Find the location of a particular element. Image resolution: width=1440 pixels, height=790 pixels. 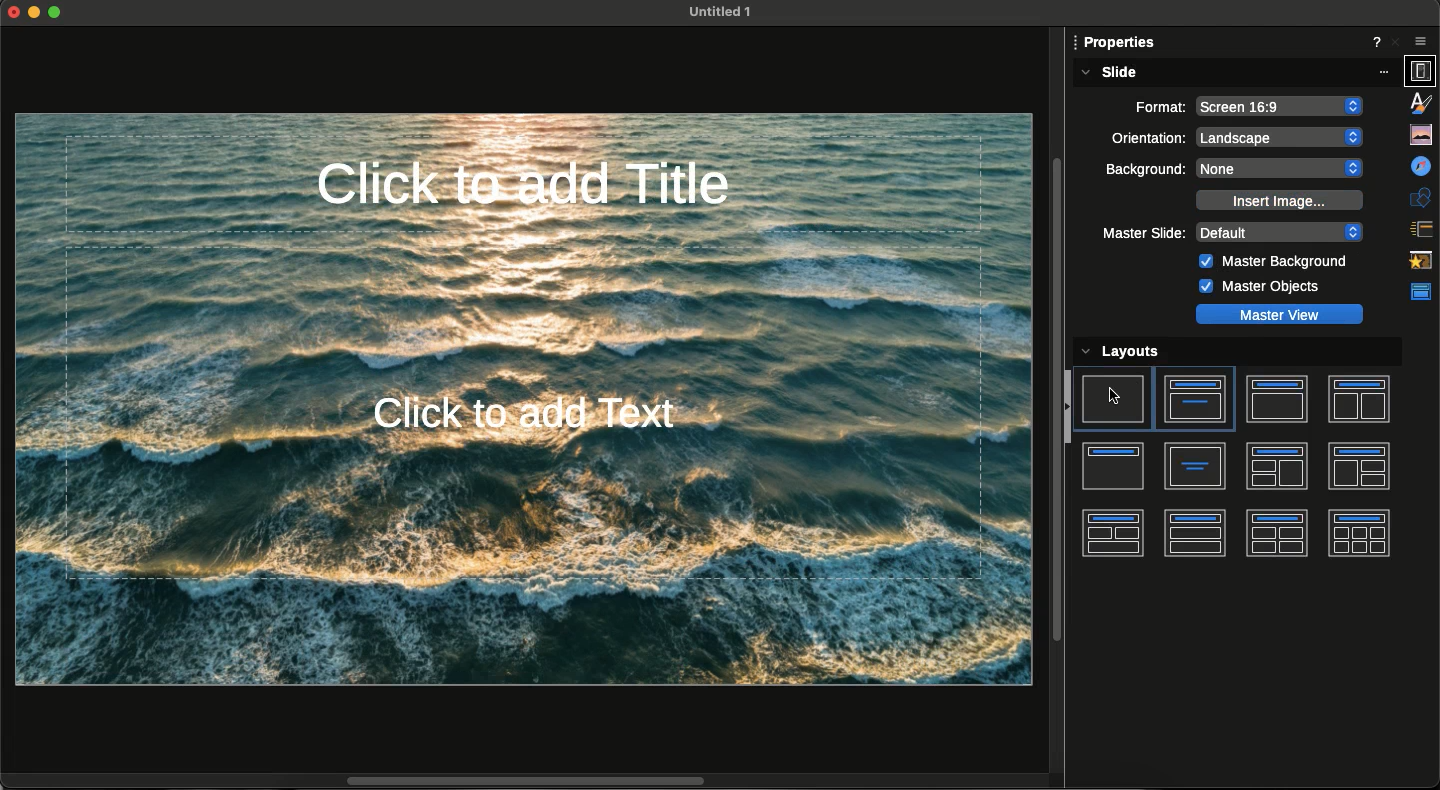

Title is located at coordinates (1114, 467).